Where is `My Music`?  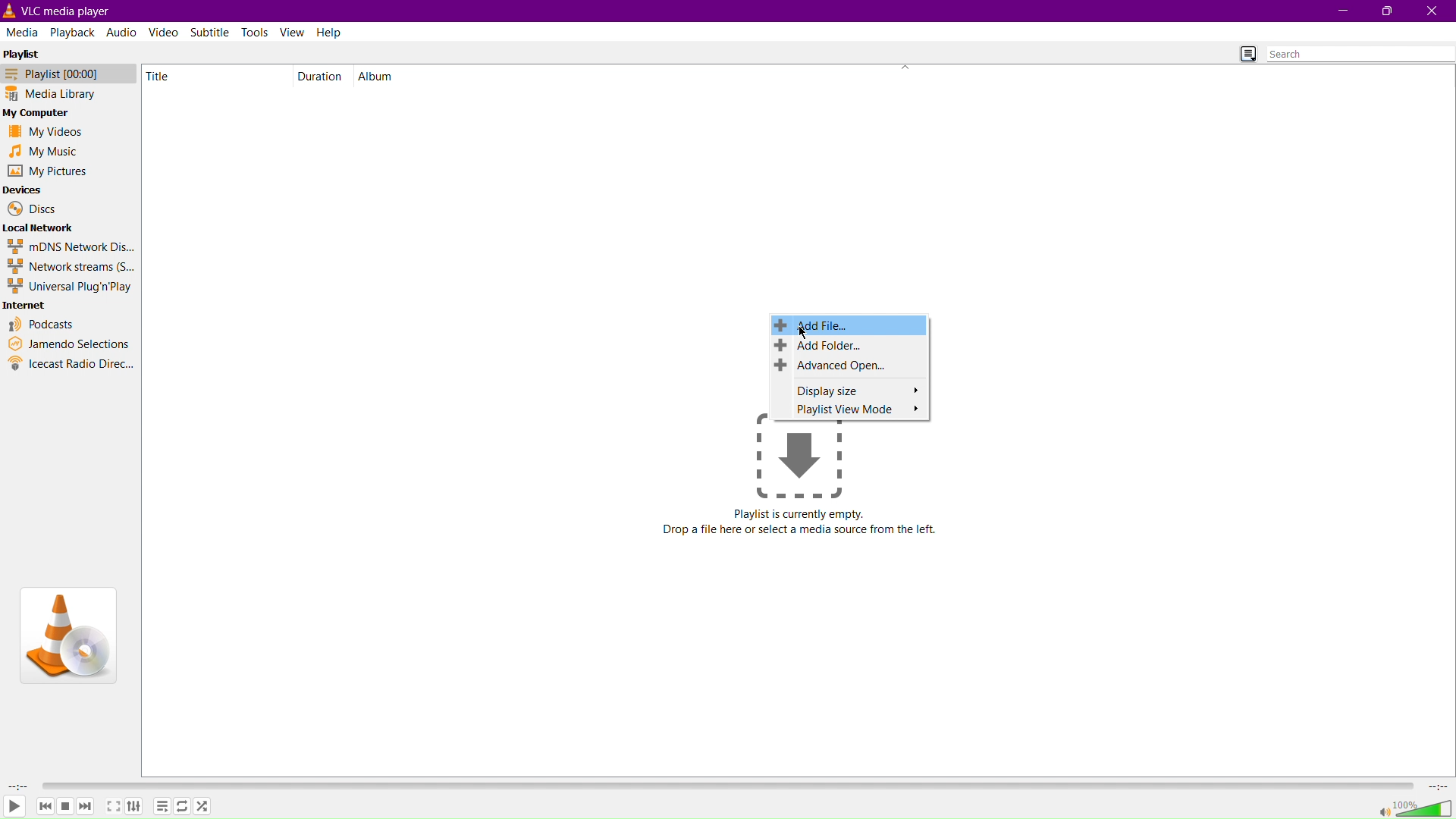 My Music is located at coordinates (42, 151).